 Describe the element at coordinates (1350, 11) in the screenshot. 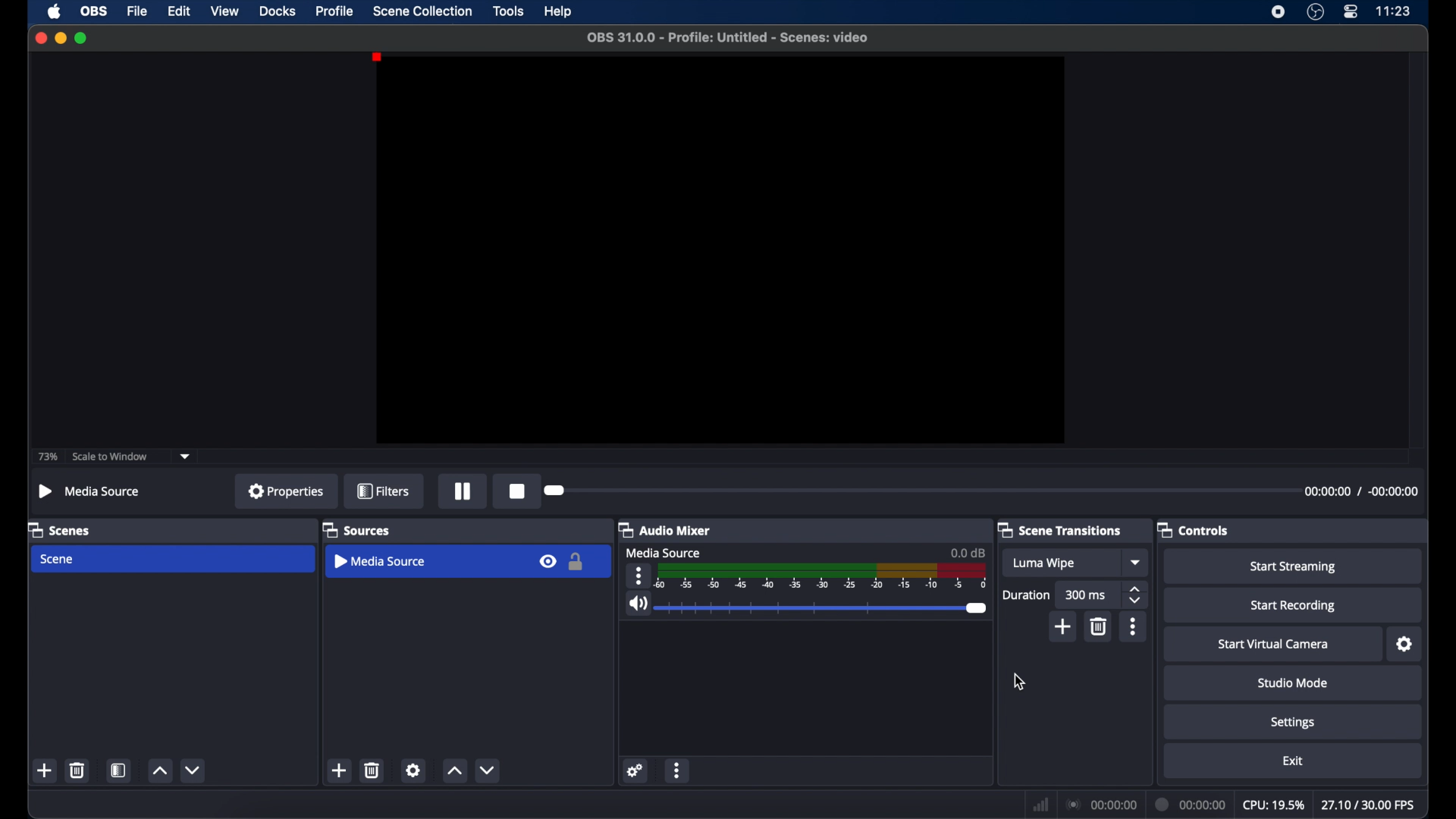

I see `control center` at that location.